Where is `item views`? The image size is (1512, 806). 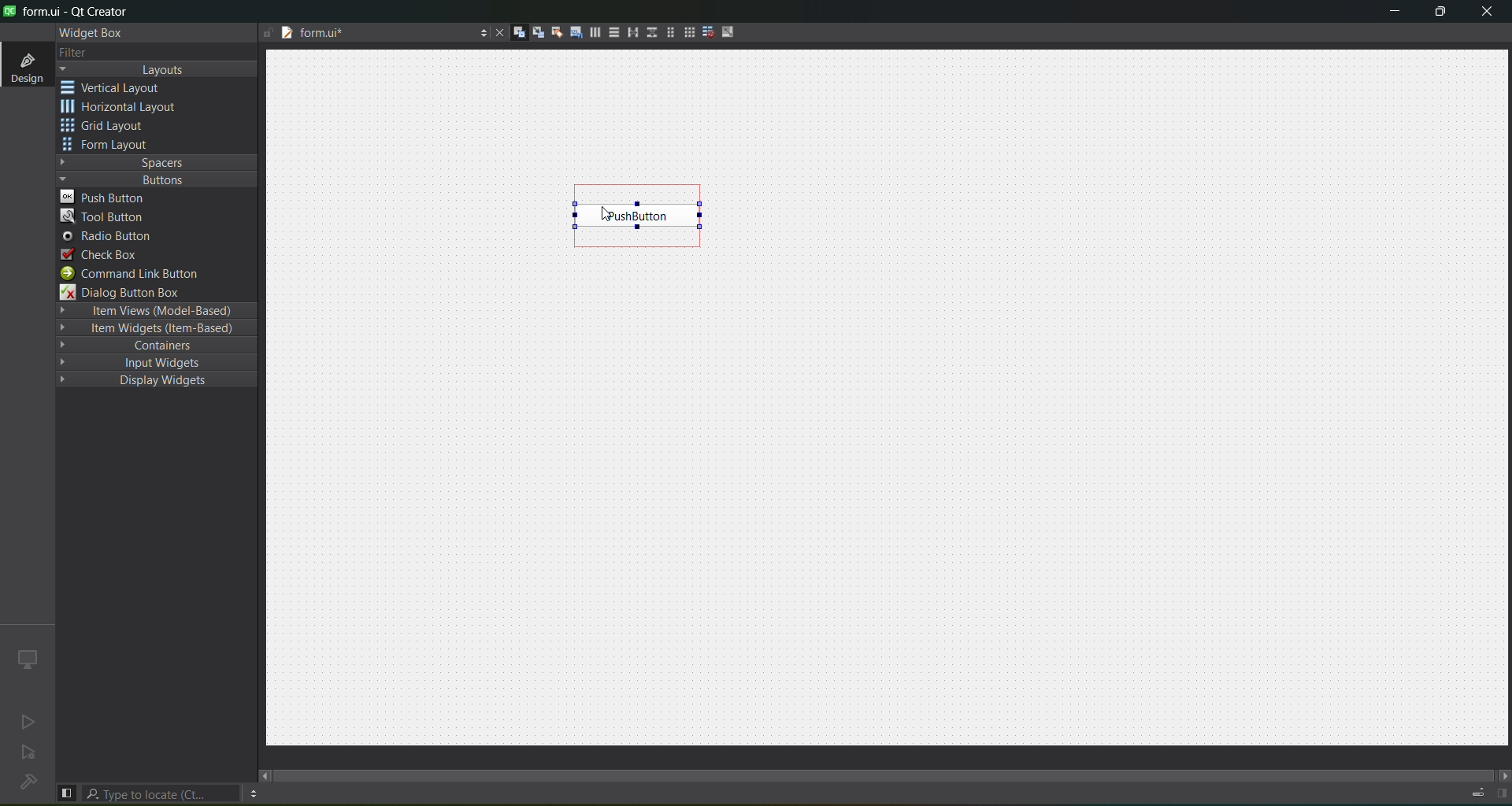 item views is located at coordinates (154, 310).